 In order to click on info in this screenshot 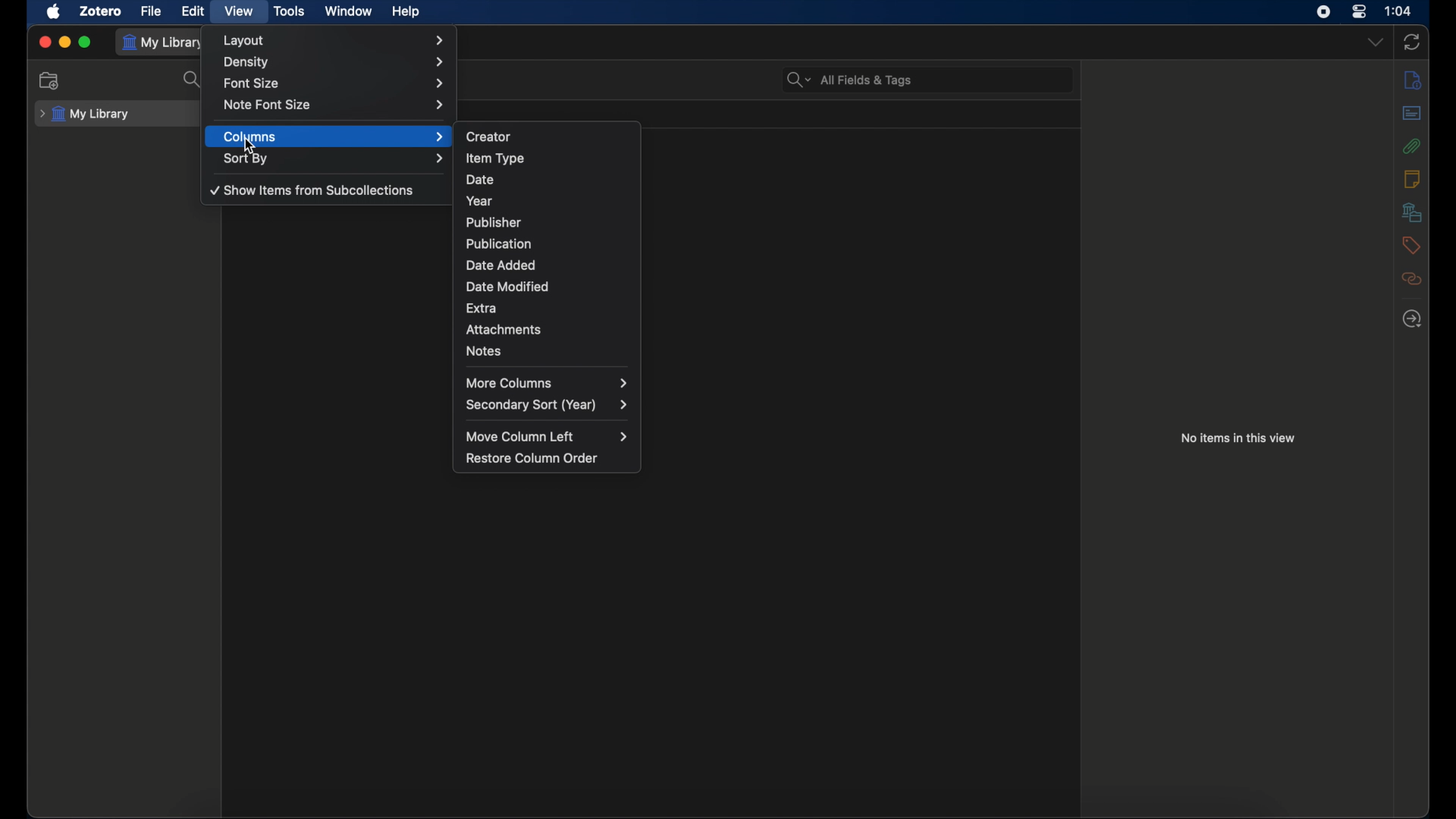, I will do `click(1411, 81)`.